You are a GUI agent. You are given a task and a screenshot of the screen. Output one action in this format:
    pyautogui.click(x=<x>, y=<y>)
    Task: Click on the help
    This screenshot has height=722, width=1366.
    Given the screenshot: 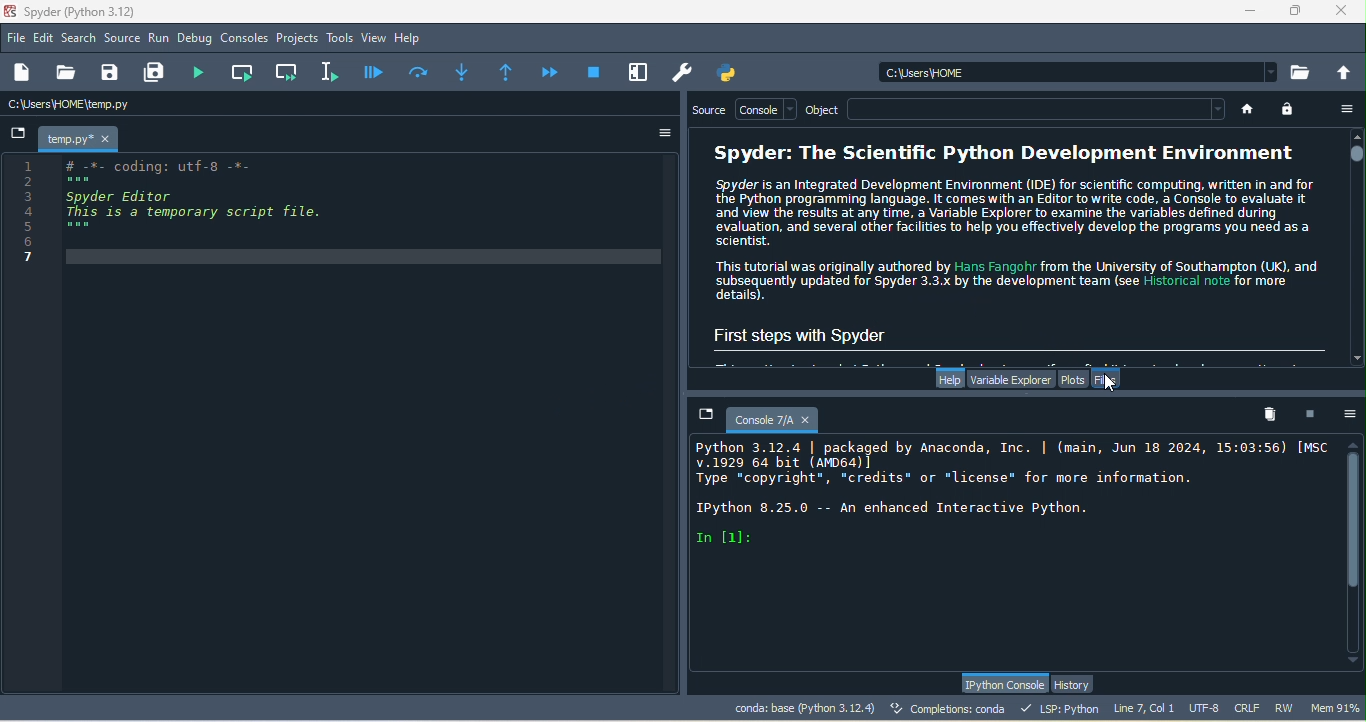 What is the action you would take?
    pyautogui.click(x=948, y=379)
    